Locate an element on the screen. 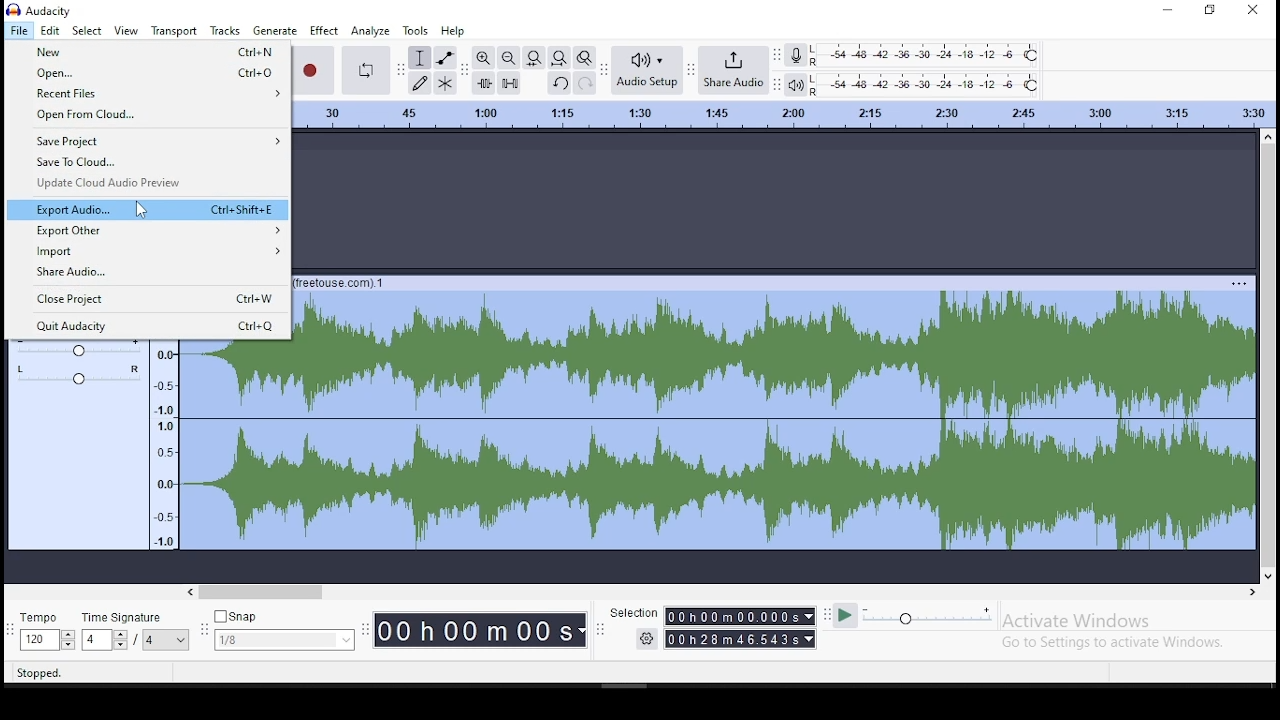 The width and height of the screenshot is (1280, 720). icon is located at coordinates (43, 11).